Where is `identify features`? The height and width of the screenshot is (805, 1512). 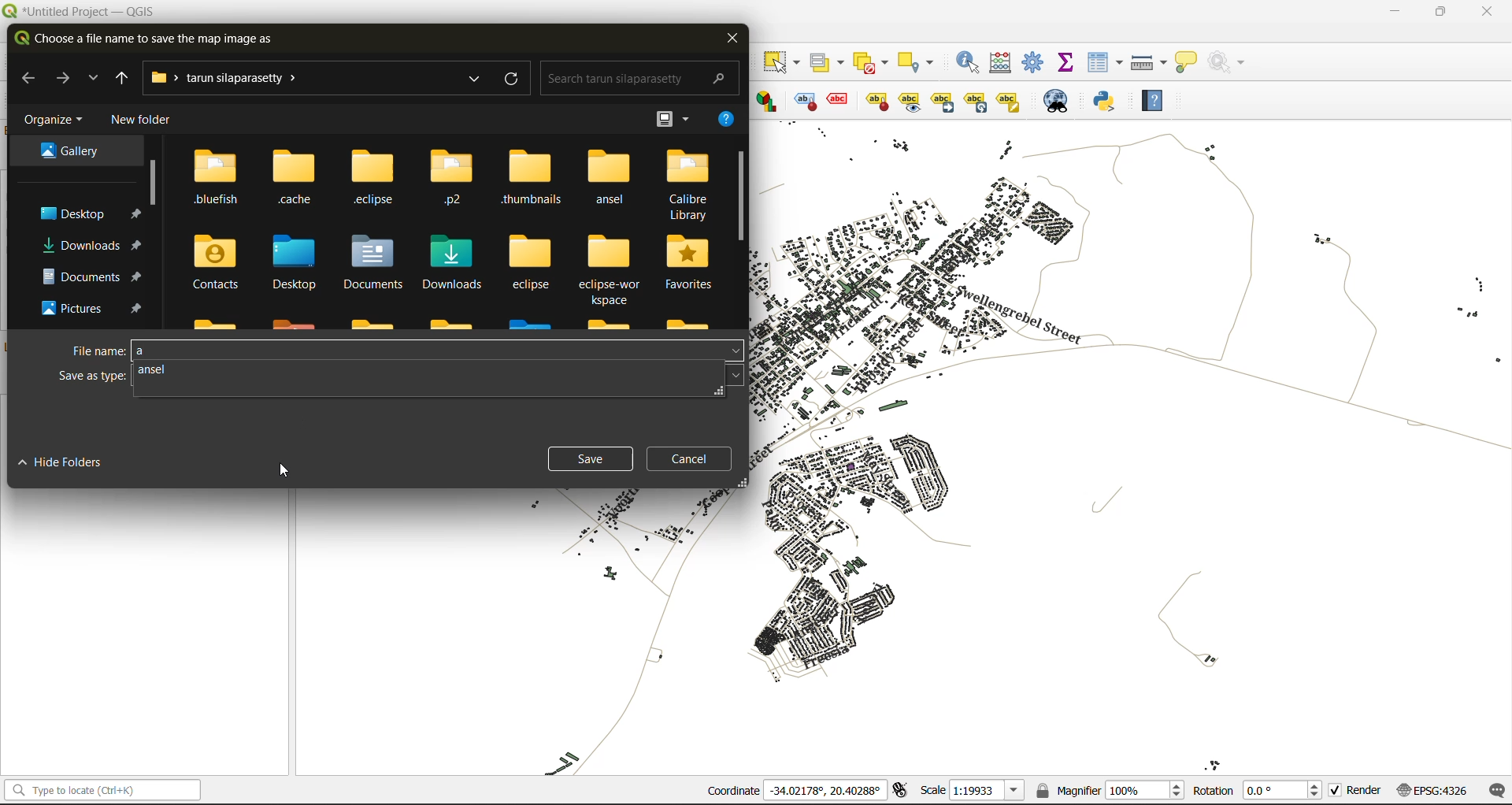 identify features is located at coordinates (969, 61).